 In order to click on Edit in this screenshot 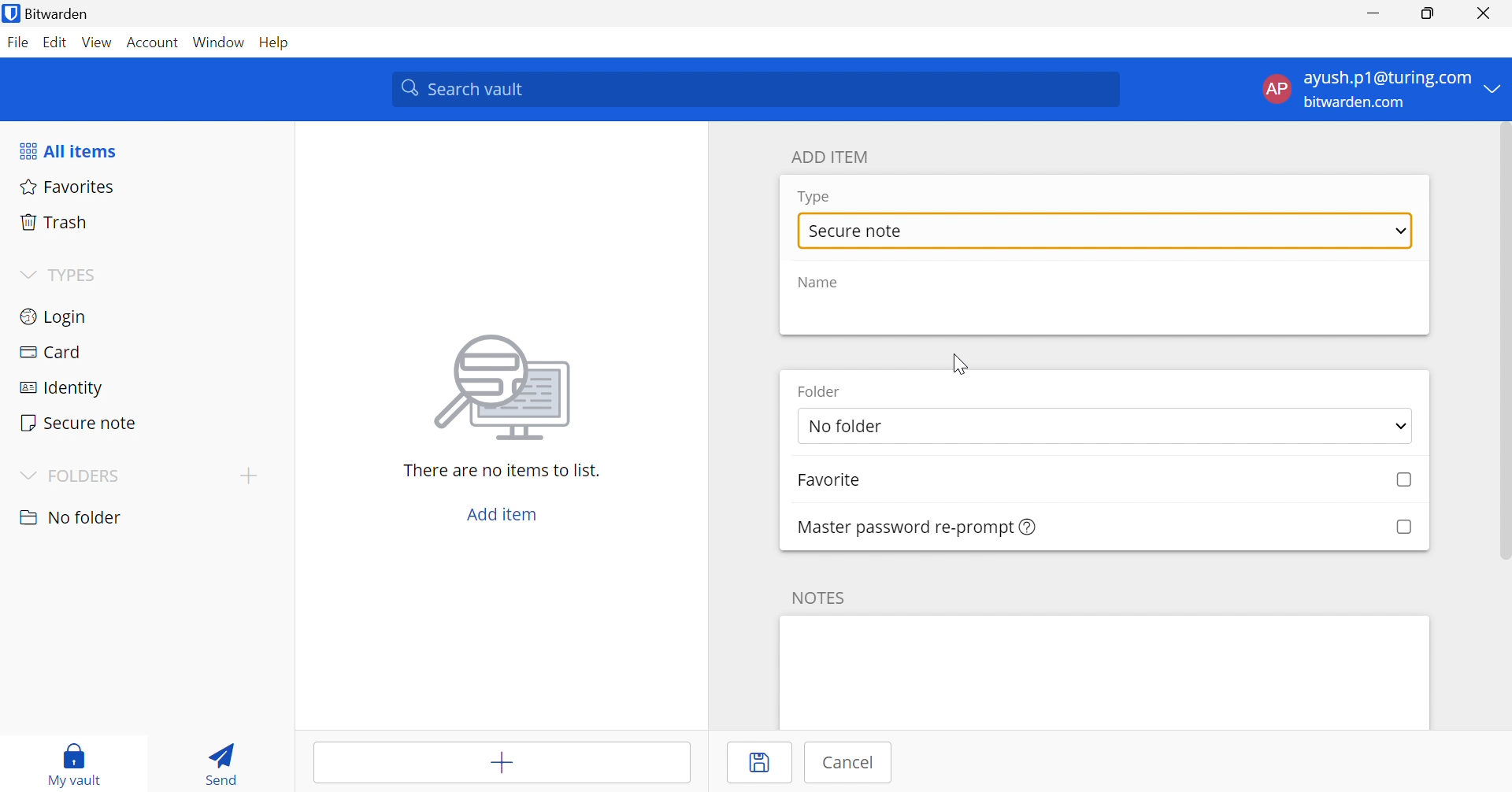, I will do `click(57, 43)`.